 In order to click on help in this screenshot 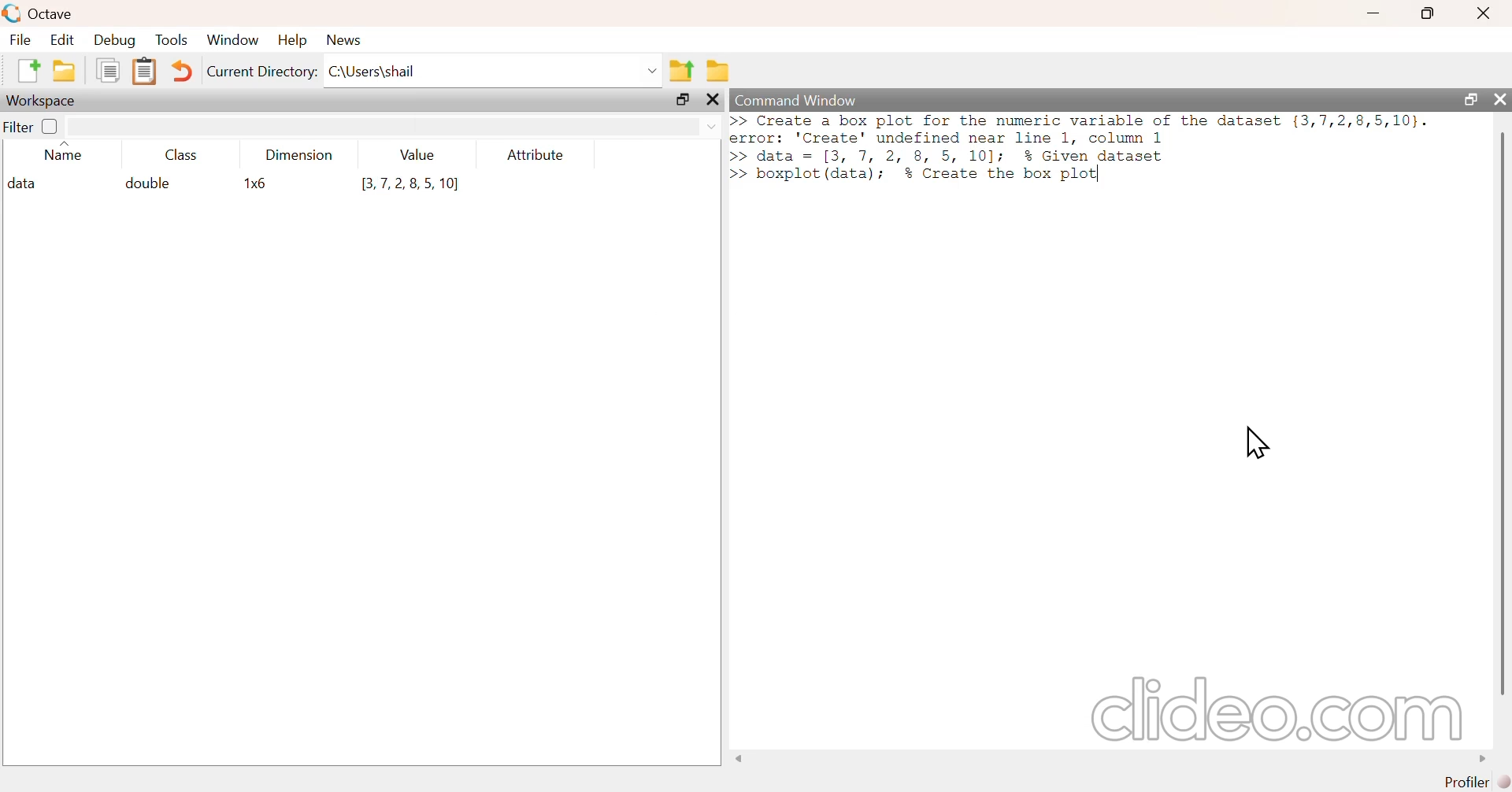, I will do `click(295, 40)`.